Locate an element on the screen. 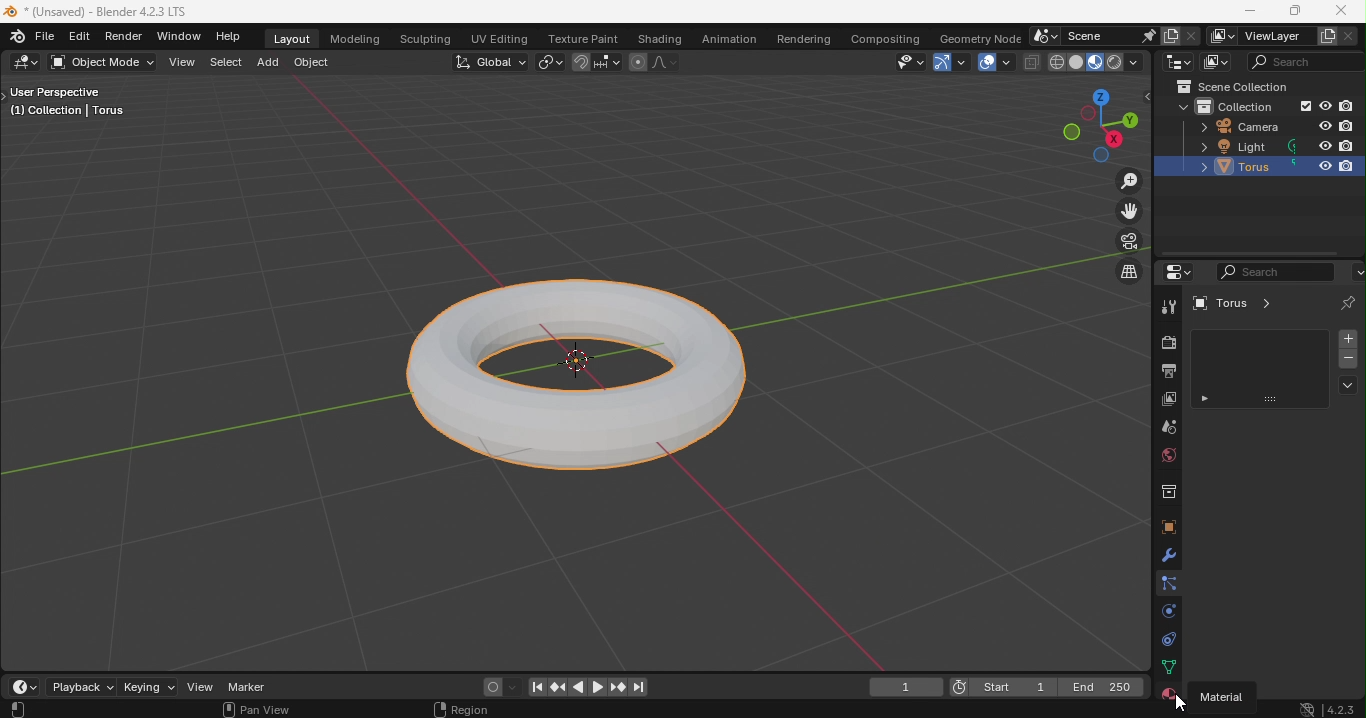 The height and width of the screenshot is (718, 1366). Transformation Orientation is located at coordinates (490, 61).